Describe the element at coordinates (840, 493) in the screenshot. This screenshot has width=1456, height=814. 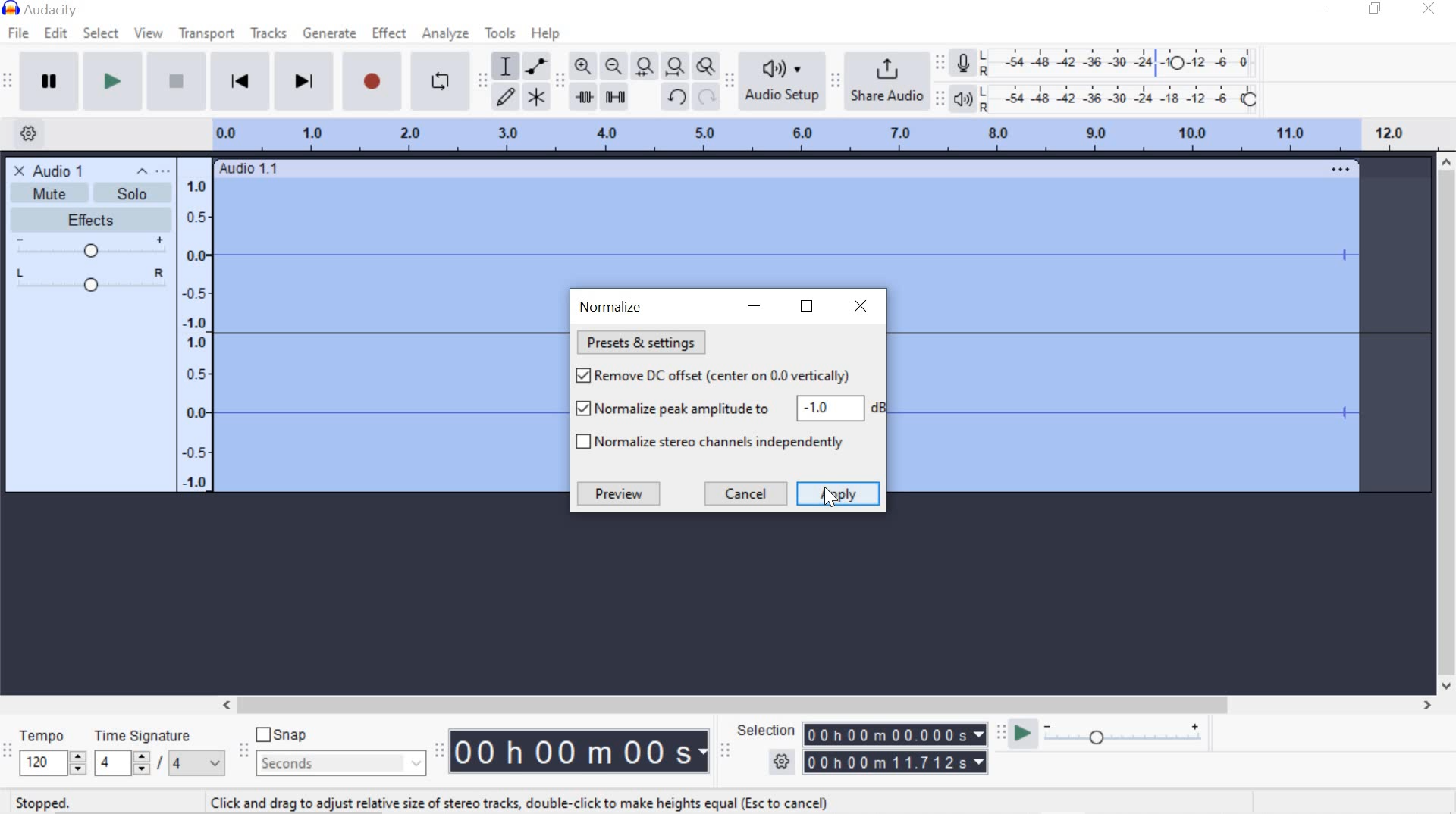
I see `apply` at that location.